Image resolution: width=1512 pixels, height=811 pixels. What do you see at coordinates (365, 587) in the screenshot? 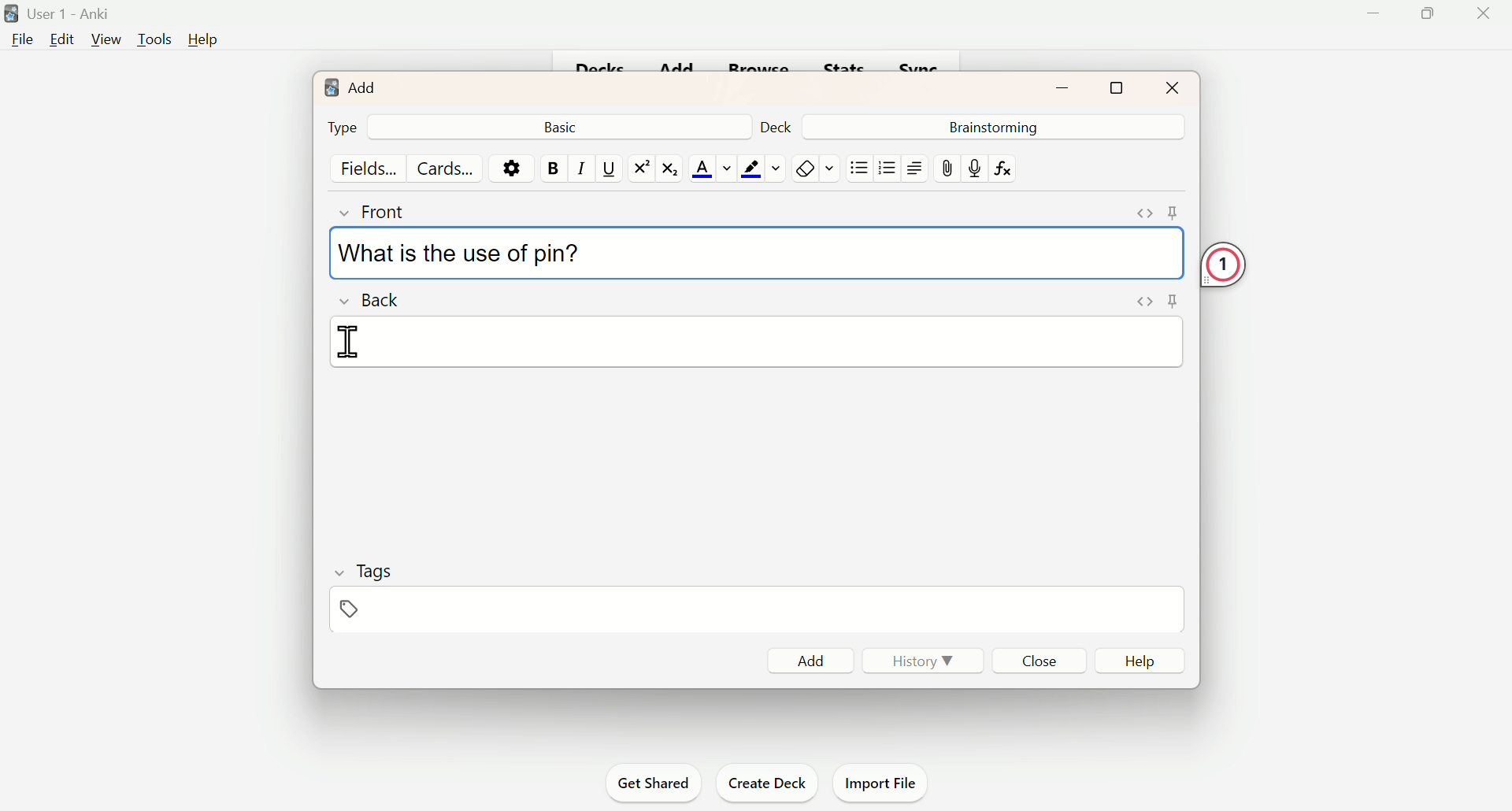
I see `Tags` at bounding box center [365, 587].